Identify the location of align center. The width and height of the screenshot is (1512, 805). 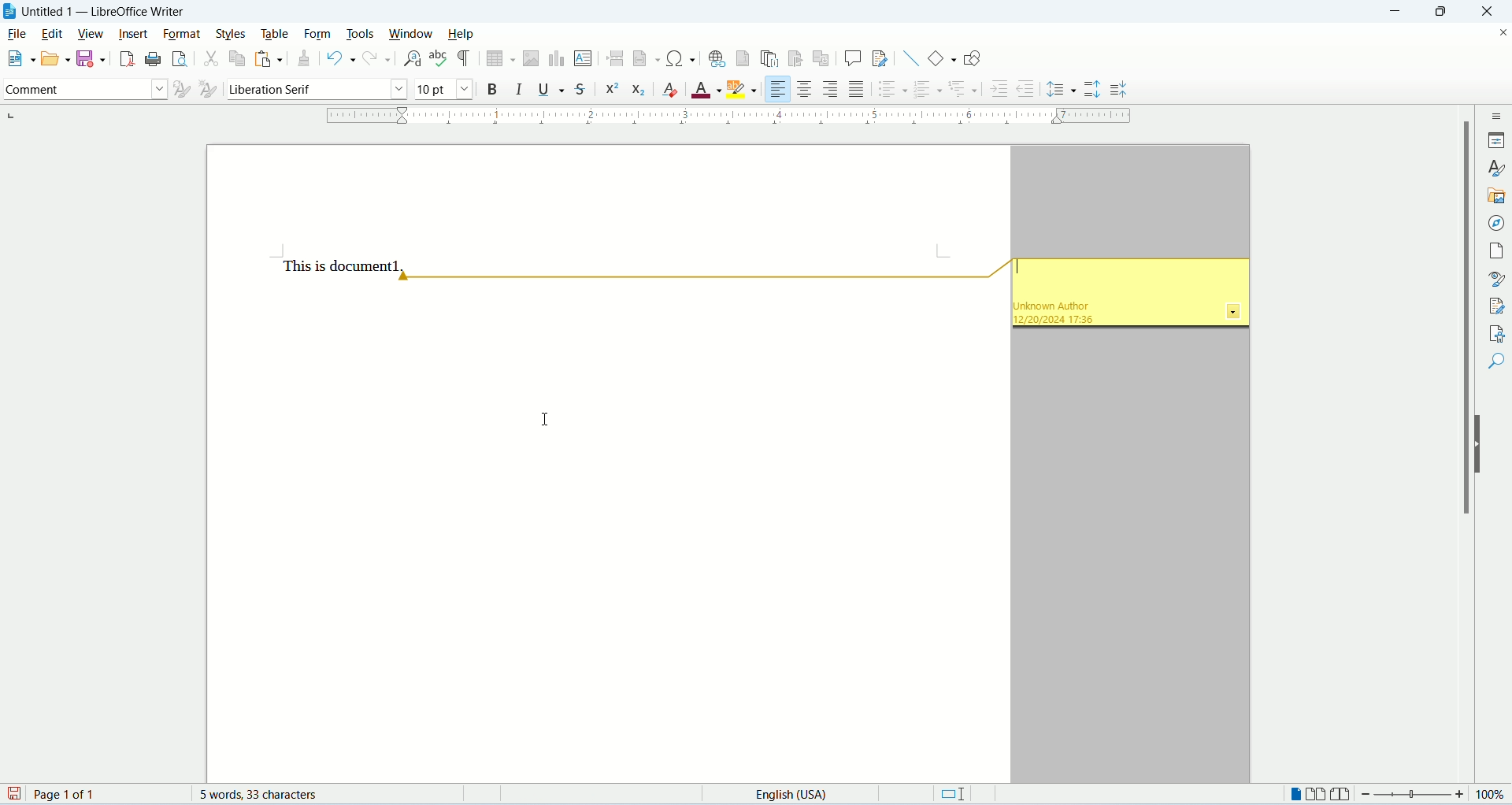
(805, 89).